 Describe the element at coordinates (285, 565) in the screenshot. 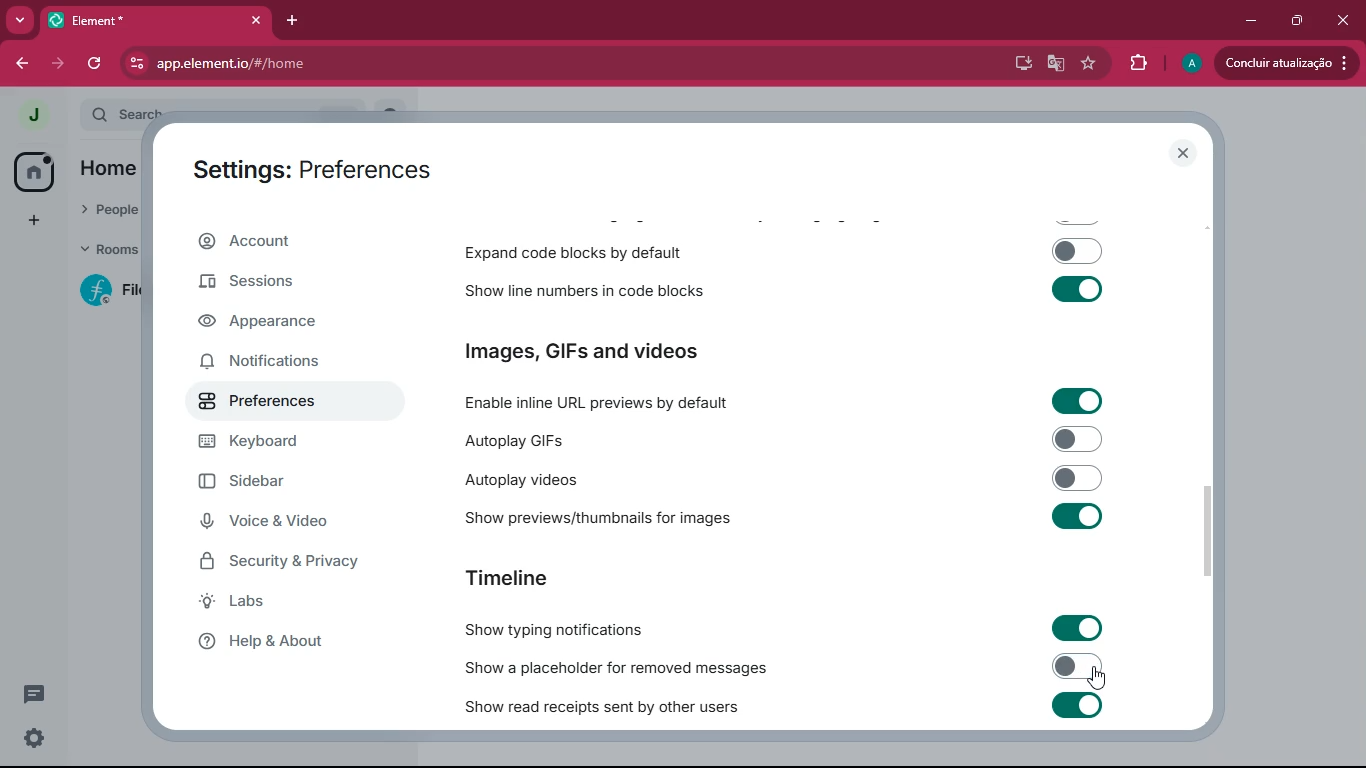

I see `security & privacy` at that location.